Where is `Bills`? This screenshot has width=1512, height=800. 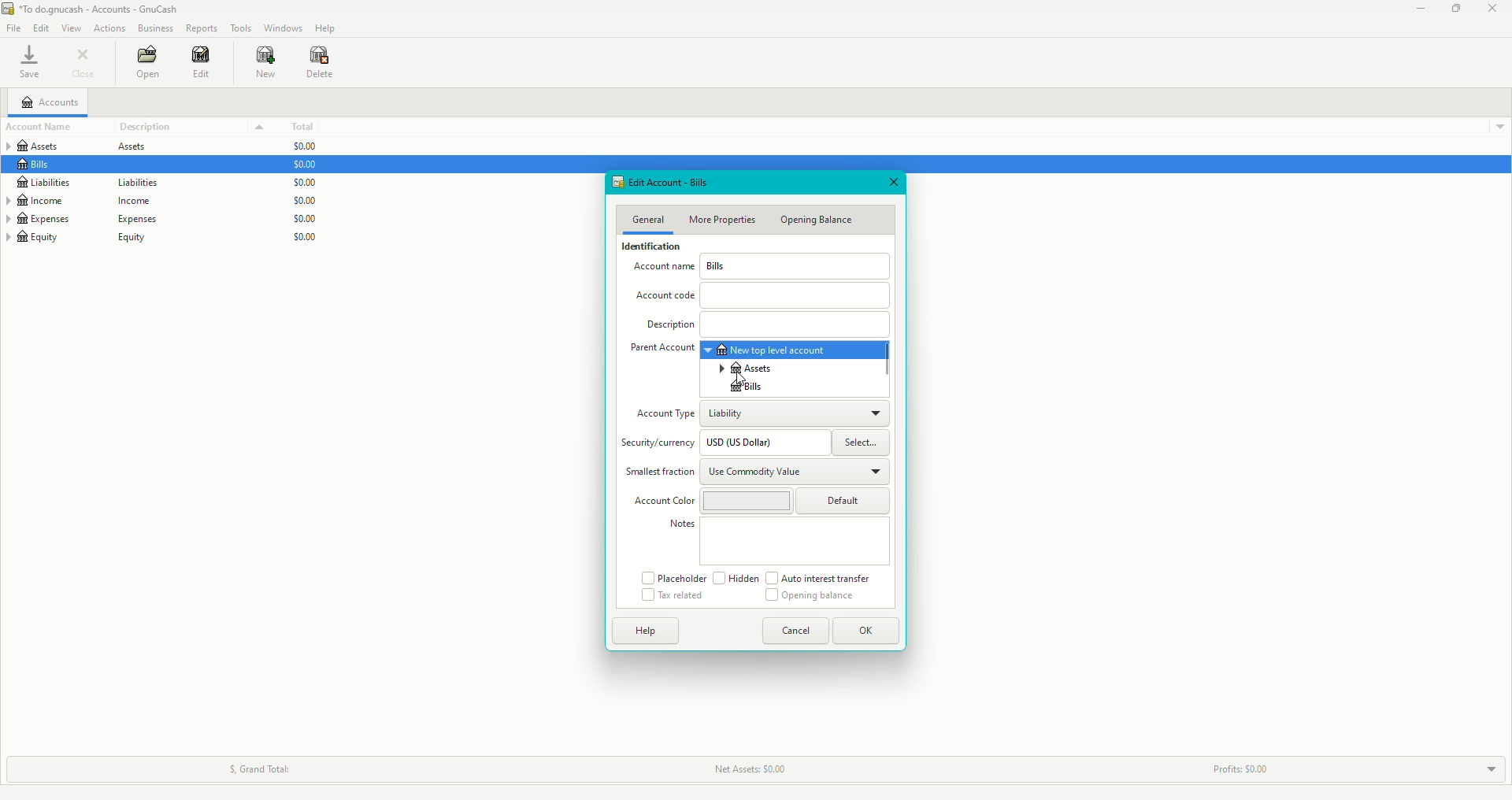 Bills is located at coordinates (743, 387).